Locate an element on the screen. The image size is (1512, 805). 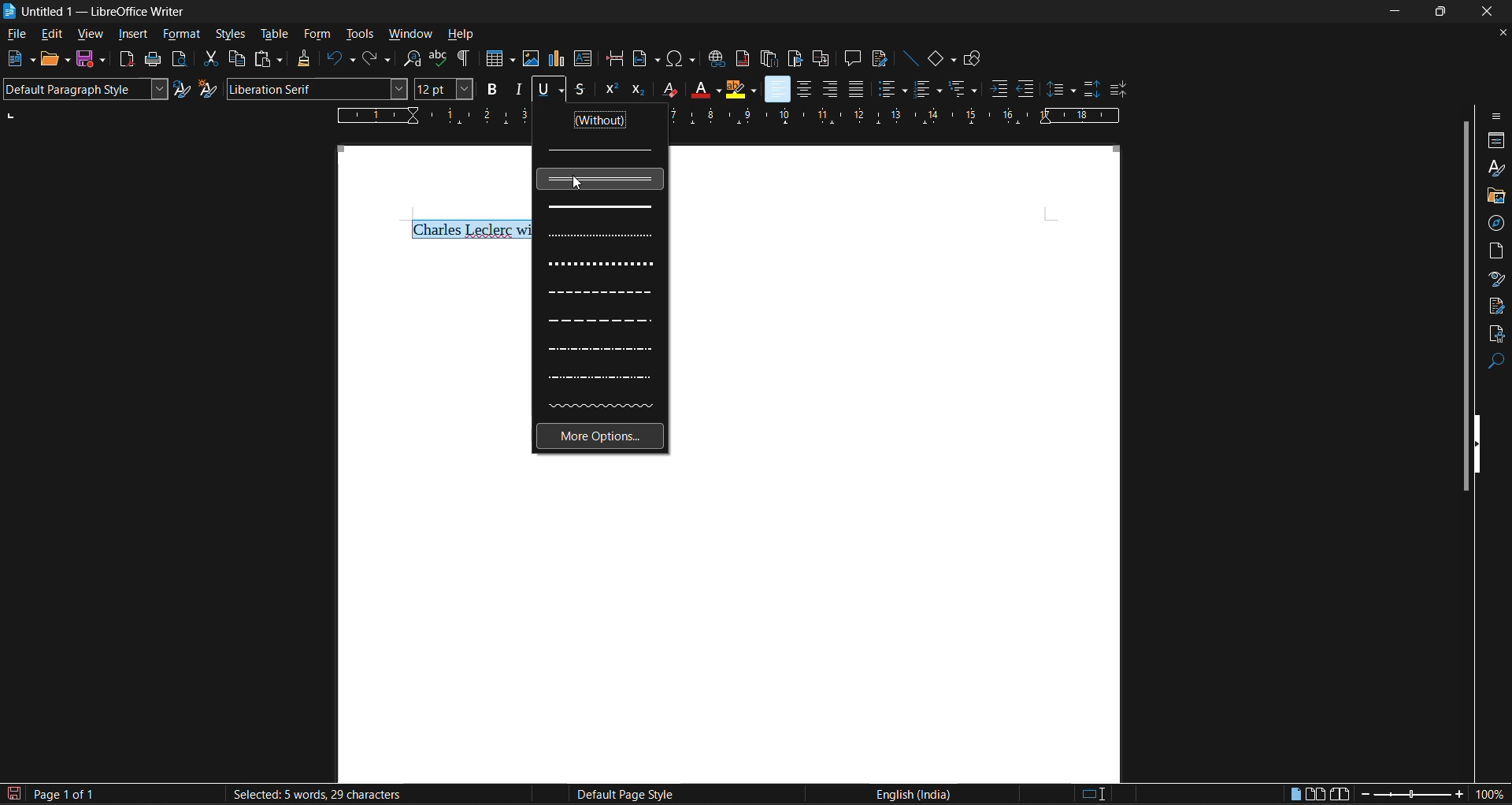
set line spacing is located at coordinates (1061, 91).